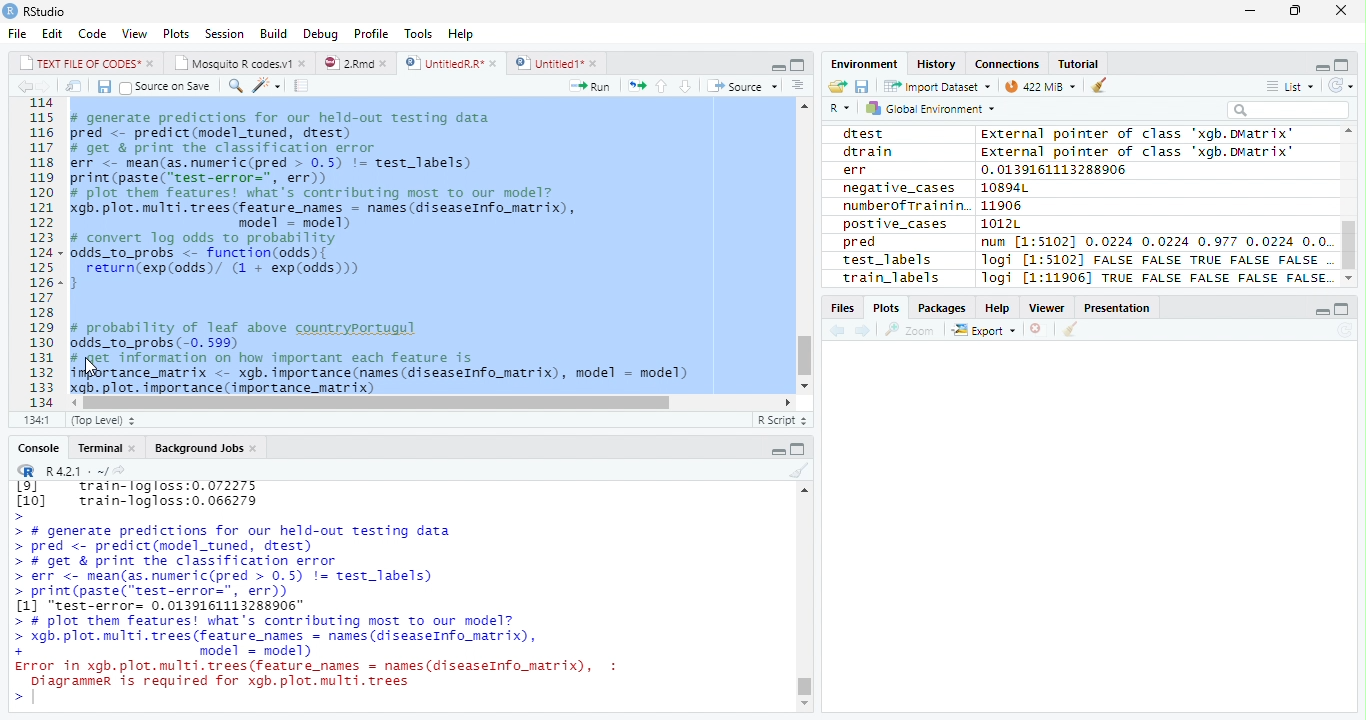  What do you see at coordinates (938, 64) in the screenshot?
I see `History` at bounding box center [938, 64].